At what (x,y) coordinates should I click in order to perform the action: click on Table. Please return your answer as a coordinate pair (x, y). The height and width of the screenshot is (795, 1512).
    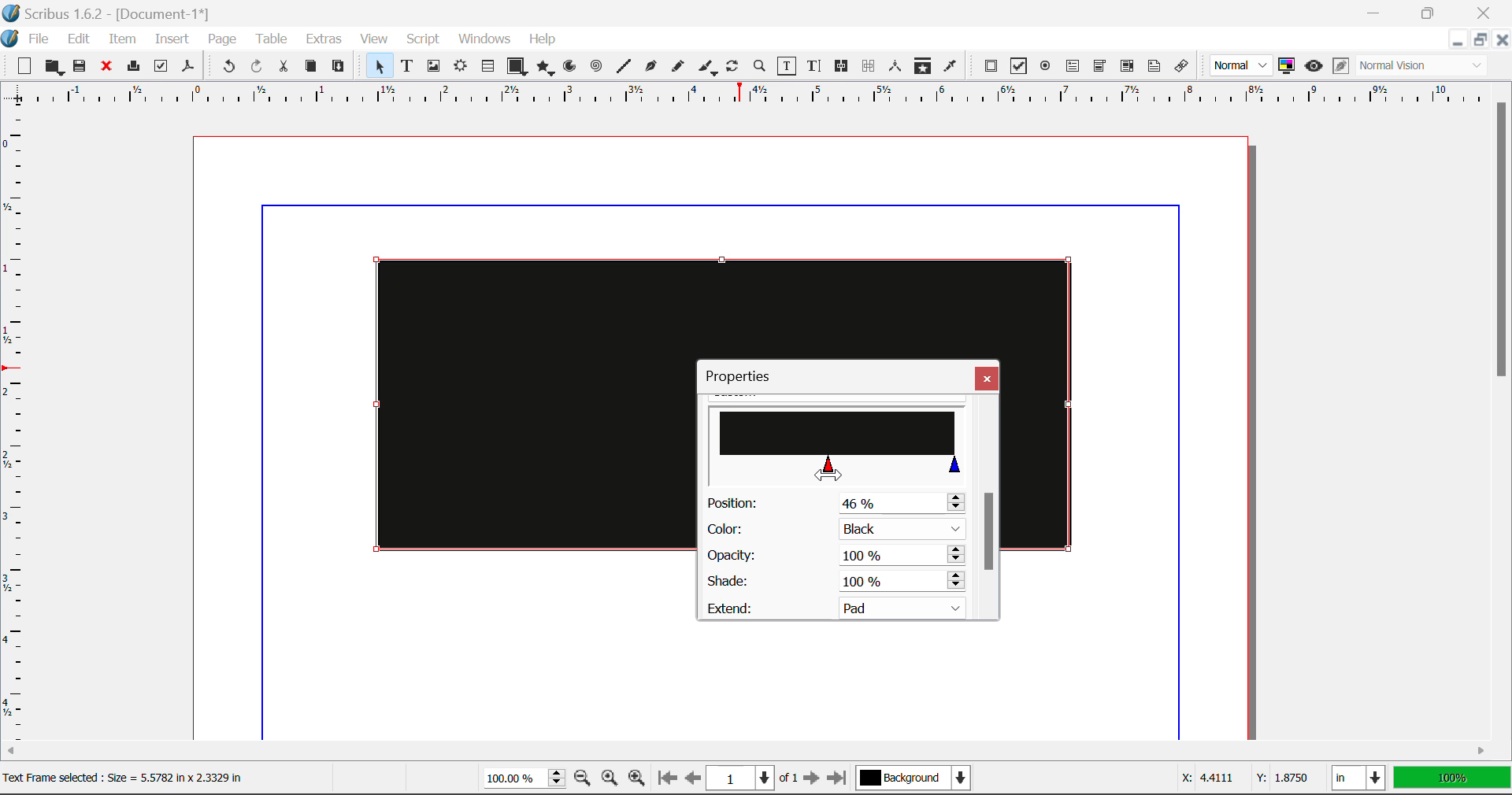
    Looking at the image, I should click on (270, 40).